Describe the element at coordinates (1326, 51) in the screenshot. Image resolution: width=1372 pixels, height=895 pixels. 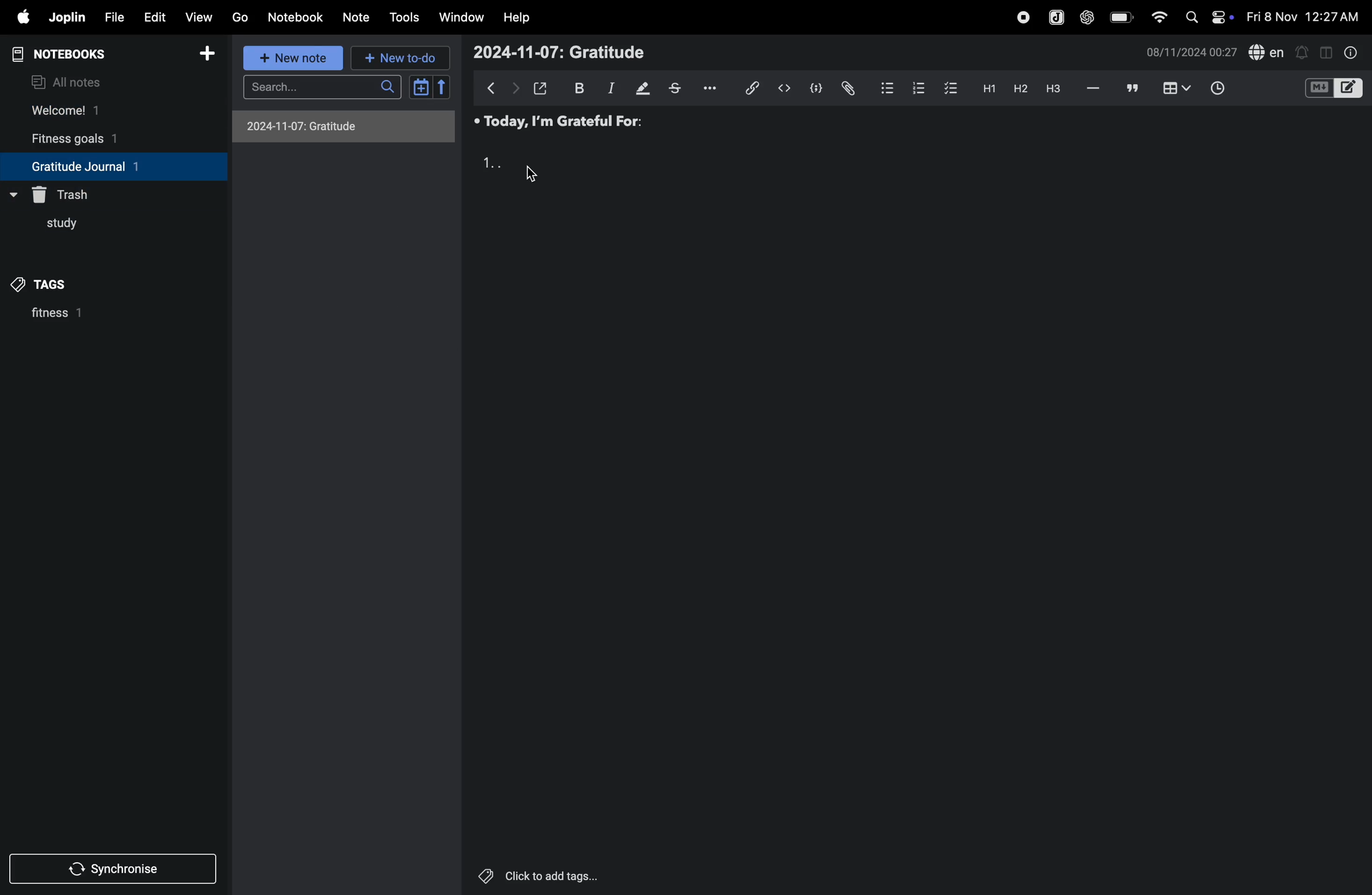
I see `toogle window` at that location.